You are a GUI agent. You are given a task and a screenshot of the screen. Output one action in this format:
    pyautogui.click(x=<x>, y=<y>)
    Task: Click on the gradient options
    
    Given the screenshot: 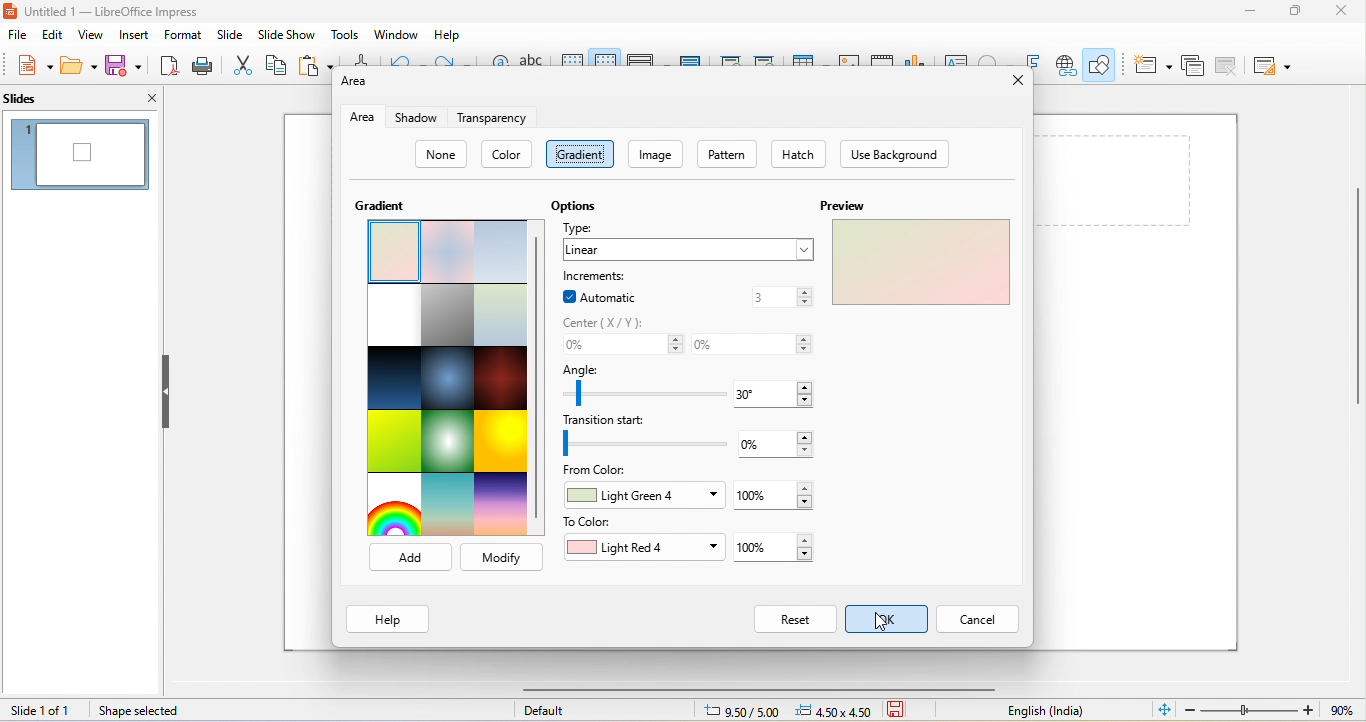 What is the action you would take?
    pyautogui.click(x=447, y=379)
    